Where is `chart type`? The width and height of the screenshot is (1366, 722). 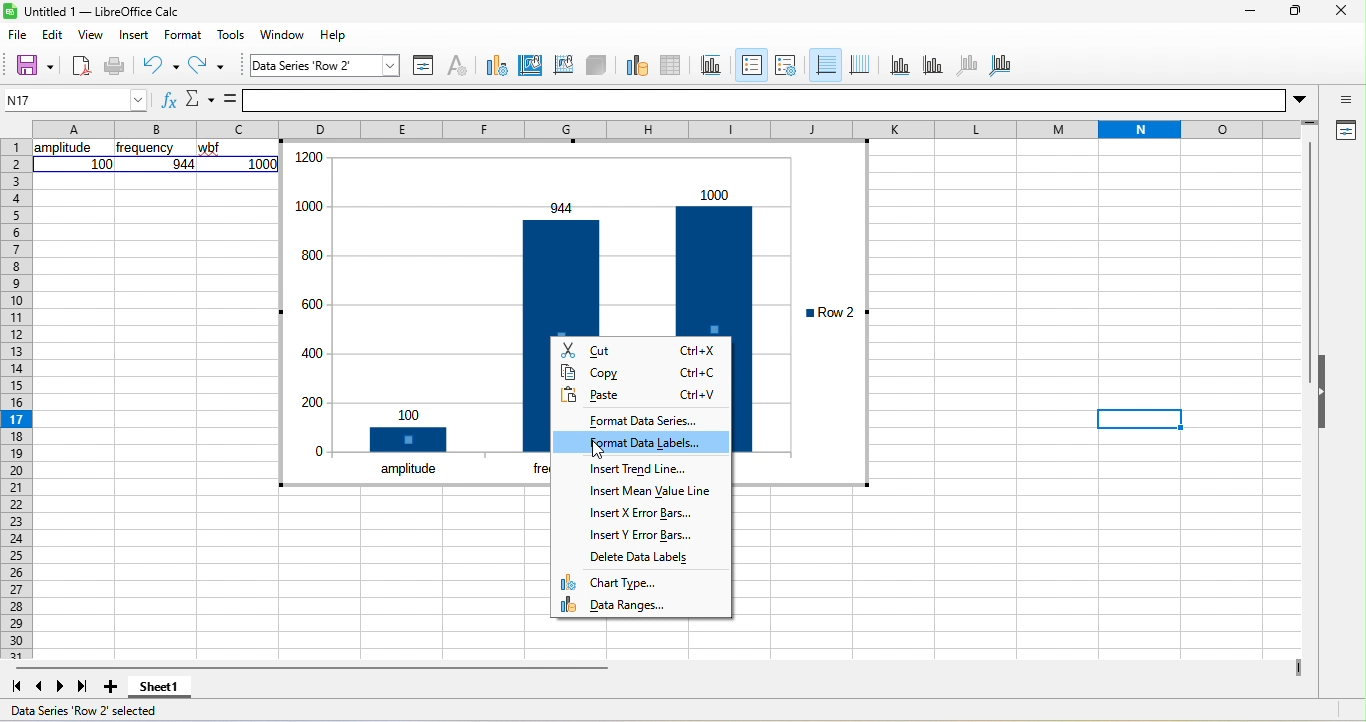 chart type is located at coordinates (618, 581).